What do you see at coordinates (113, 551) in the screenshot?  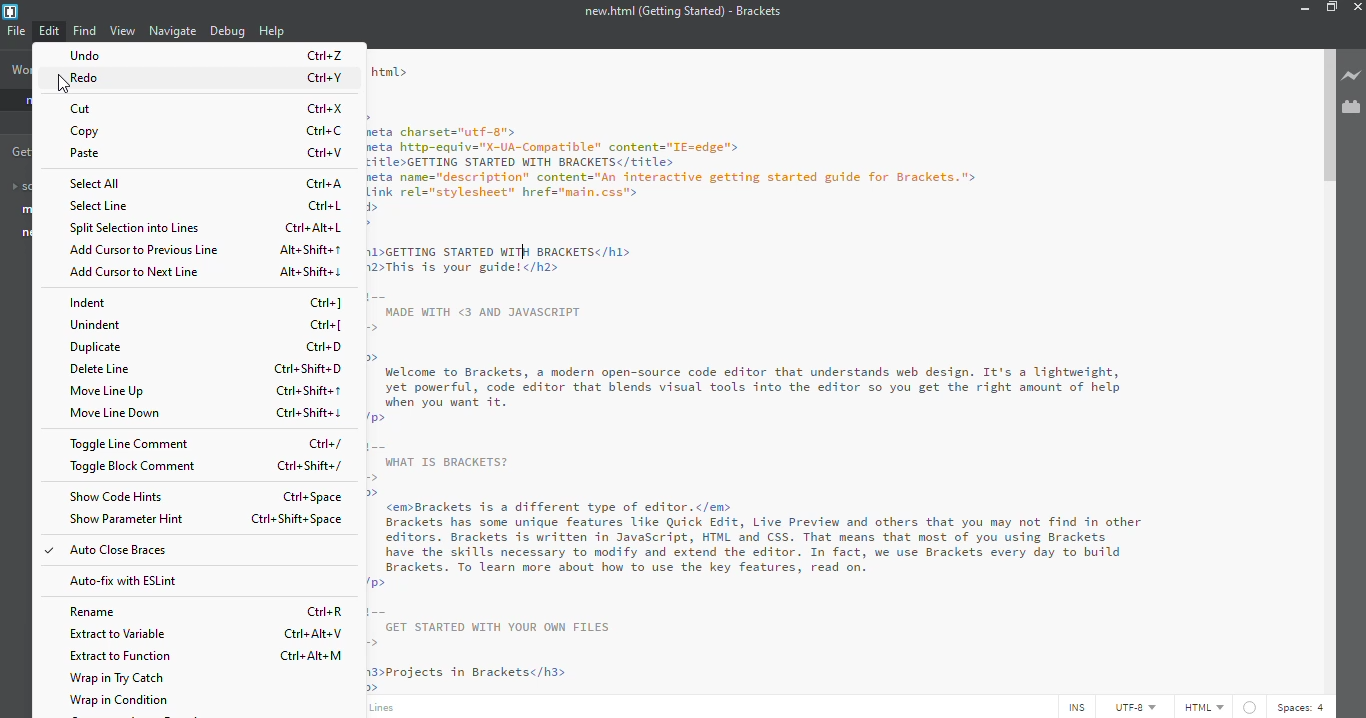 I see `auto close braces` at bounding box center [113, 551].